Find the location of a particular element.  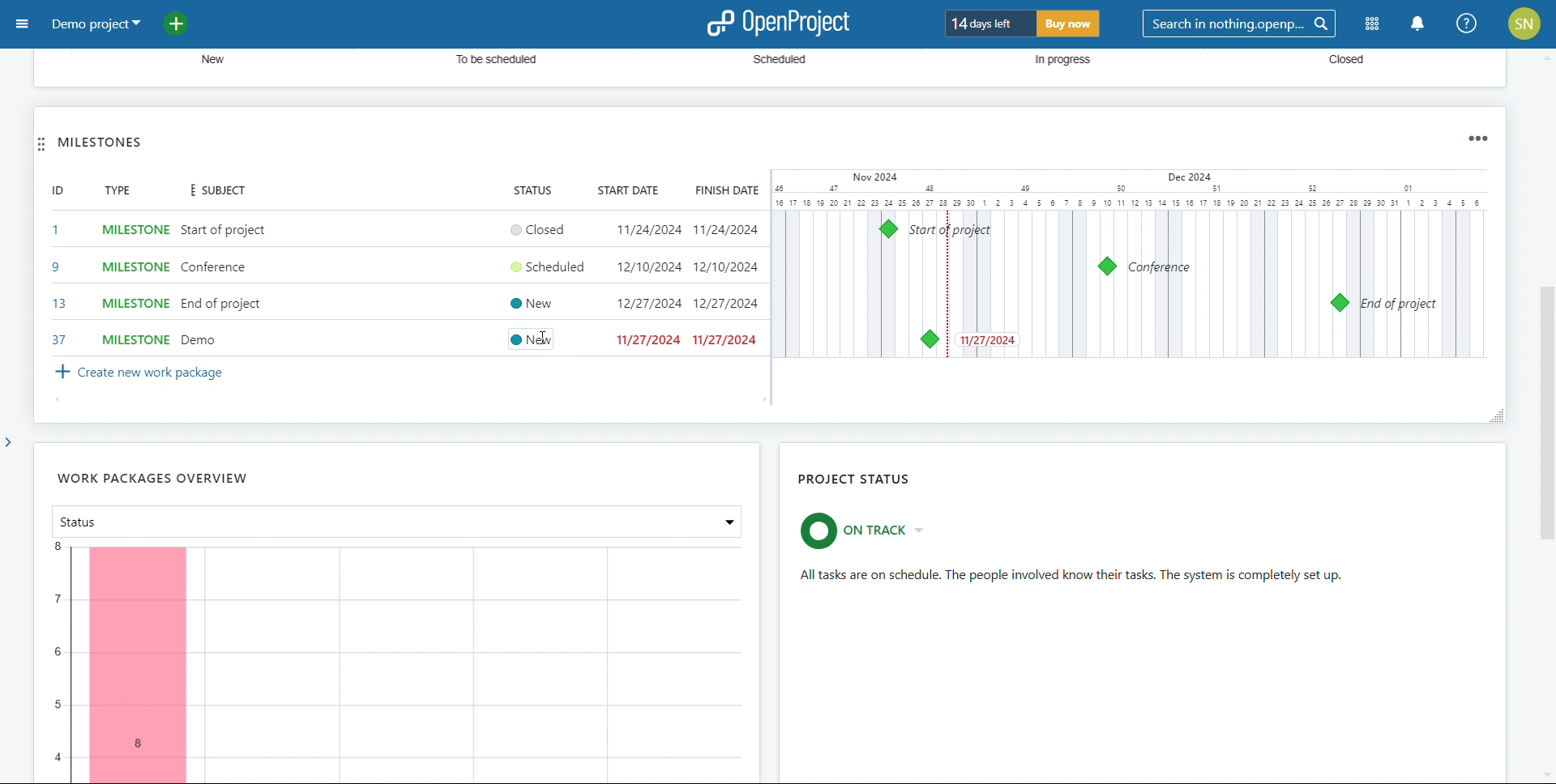

move widget is located at coordinates (41, 145).